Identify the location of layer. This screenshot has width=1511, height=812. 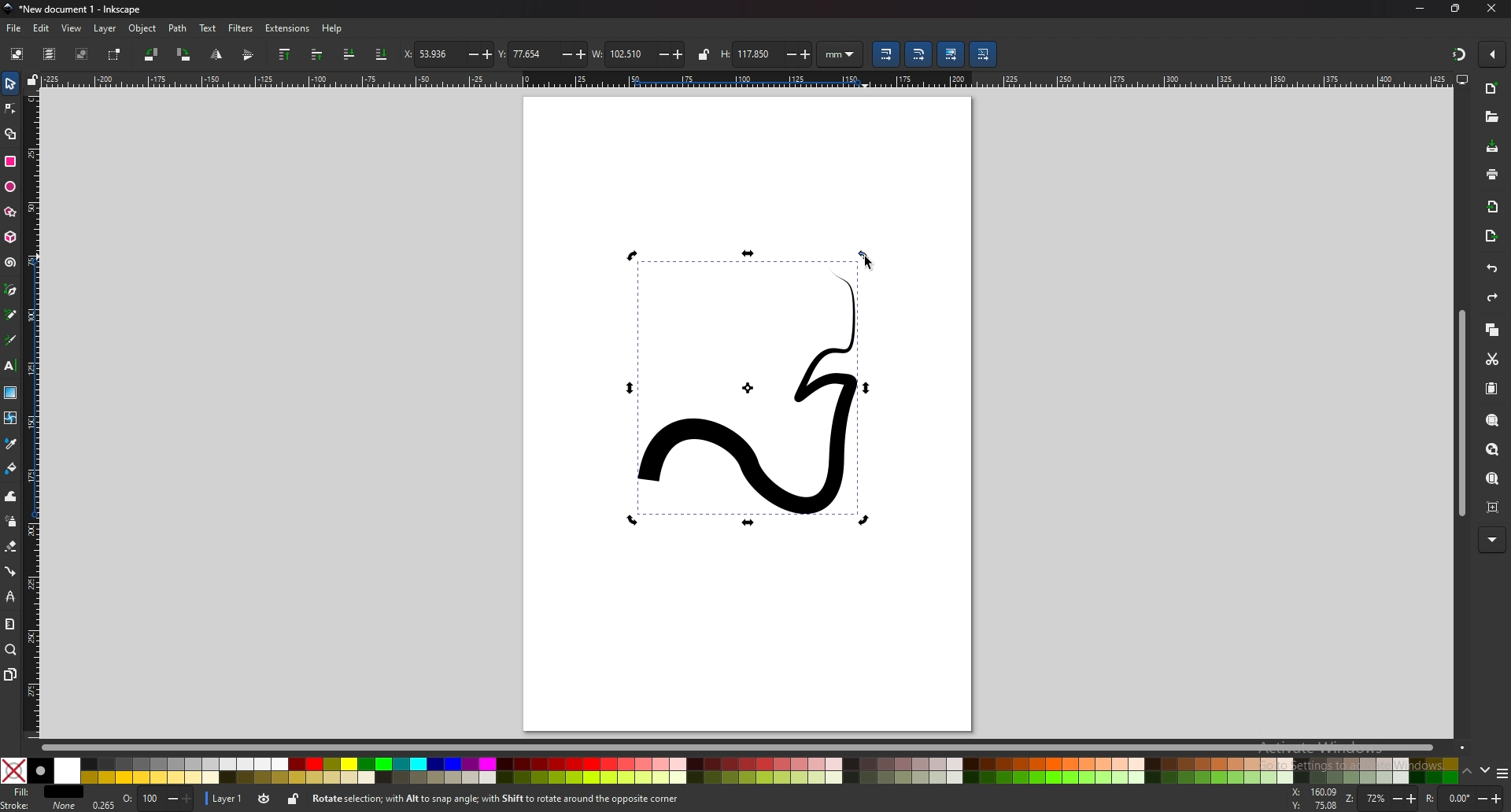
(105, 28).